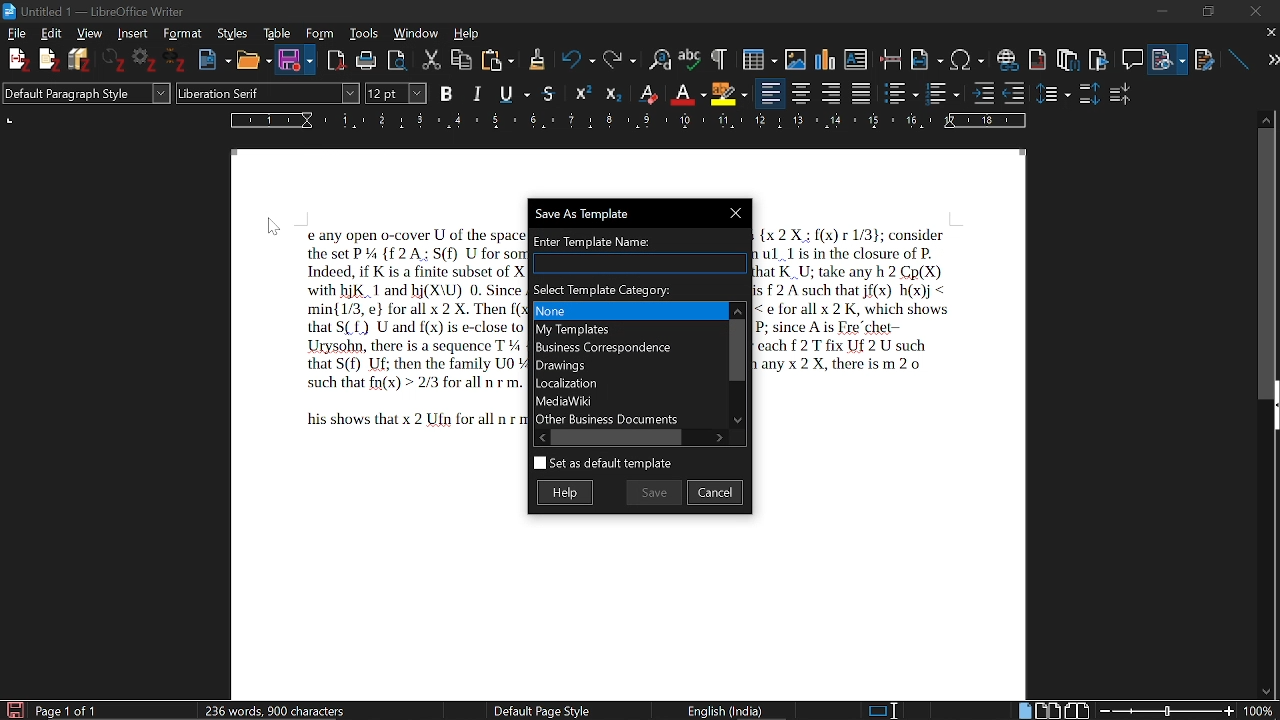 The width and height of the screenshot is (1280, 720). Describe the element at coordinates (602, 464) in the screenshot. I see `Set as default` at that location.